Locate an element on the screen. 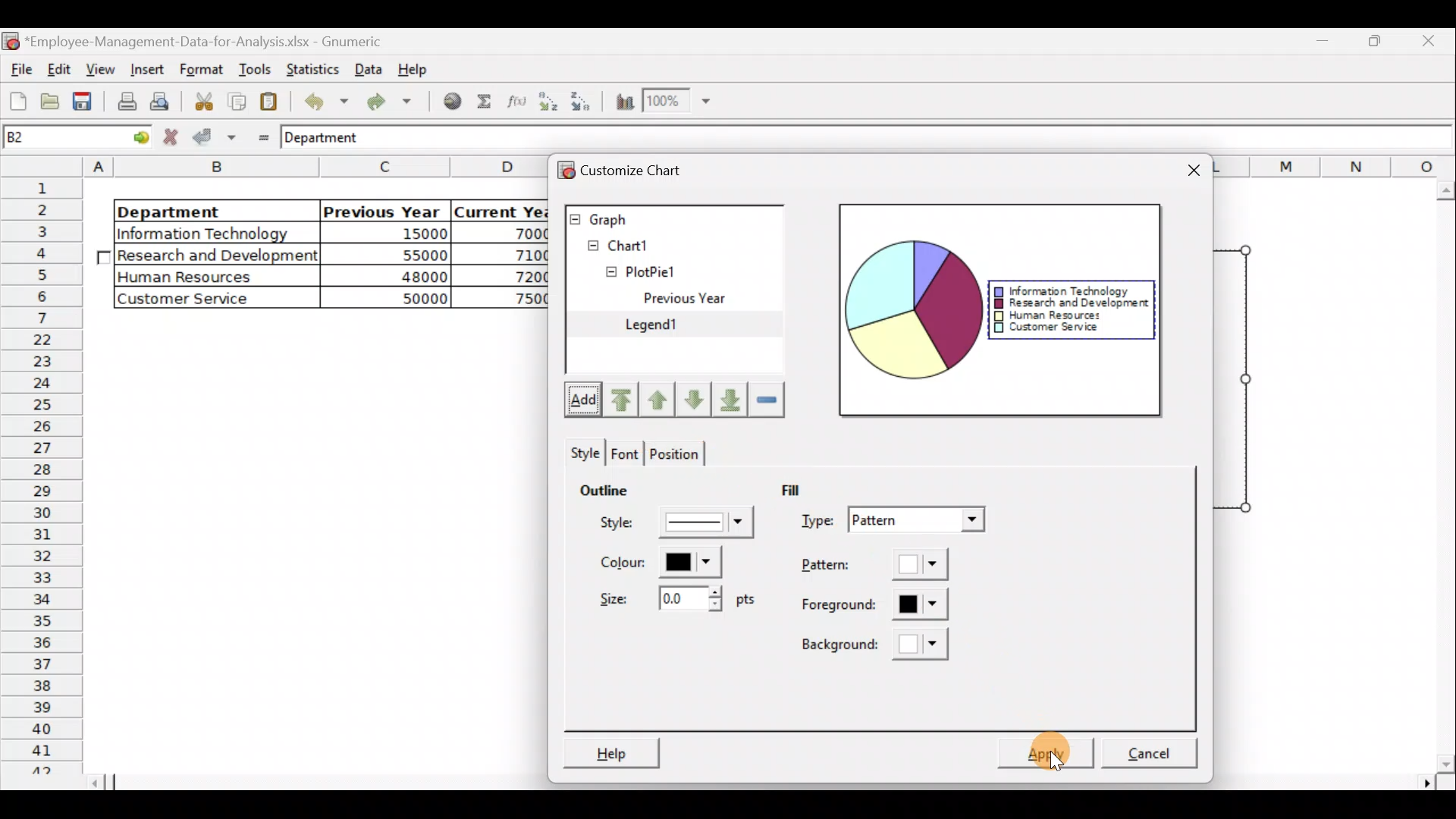 Image resolution: width=1456 pixels, height=819 pixels. Add is located at coordinates (578, 401).